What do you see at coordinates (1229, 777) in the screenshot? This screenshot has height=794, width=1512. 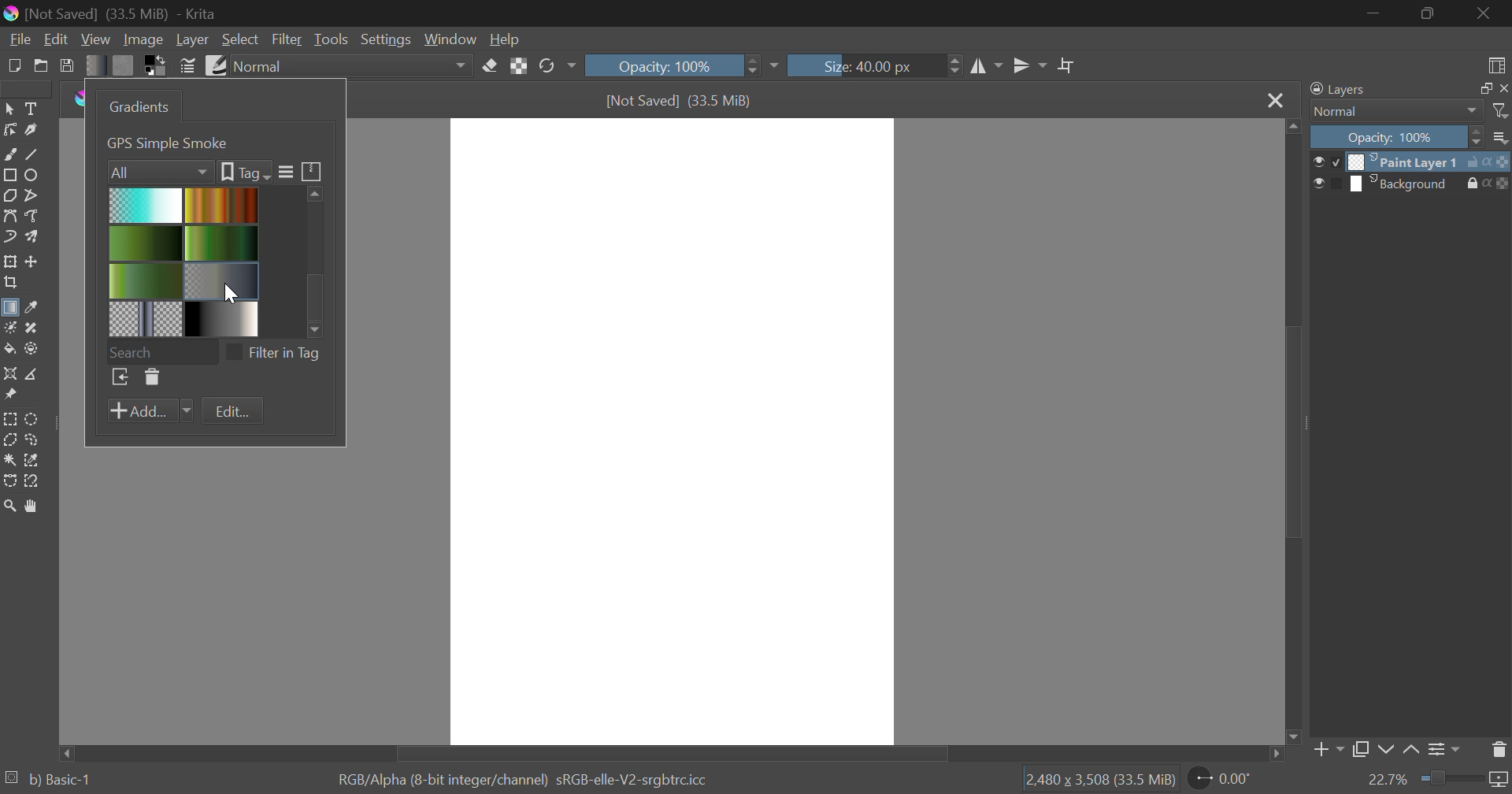 I see `0.00°` at bounding box center [1229, 777].